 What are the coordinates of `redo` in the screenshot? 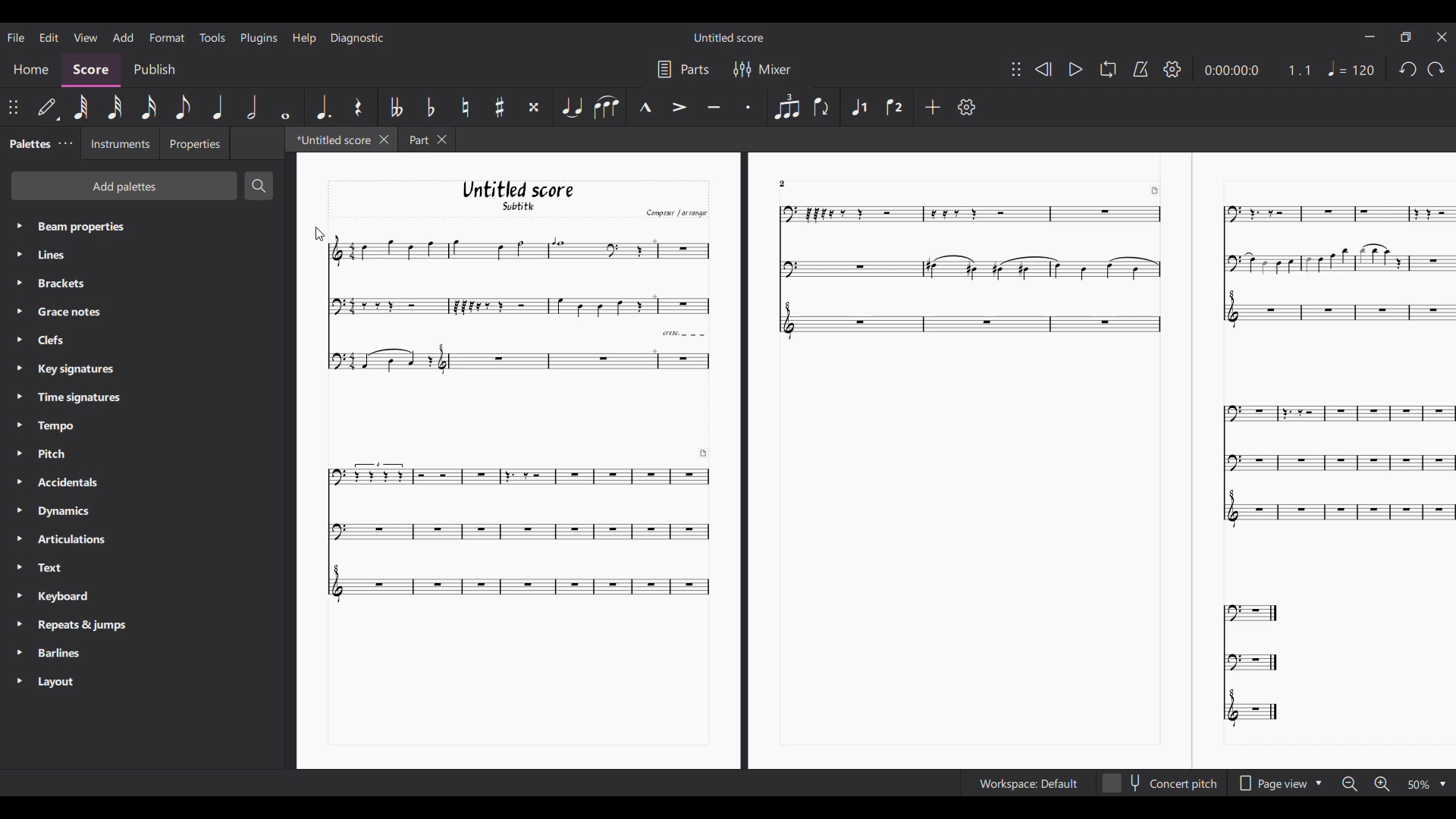 It's located at (1406, 73).